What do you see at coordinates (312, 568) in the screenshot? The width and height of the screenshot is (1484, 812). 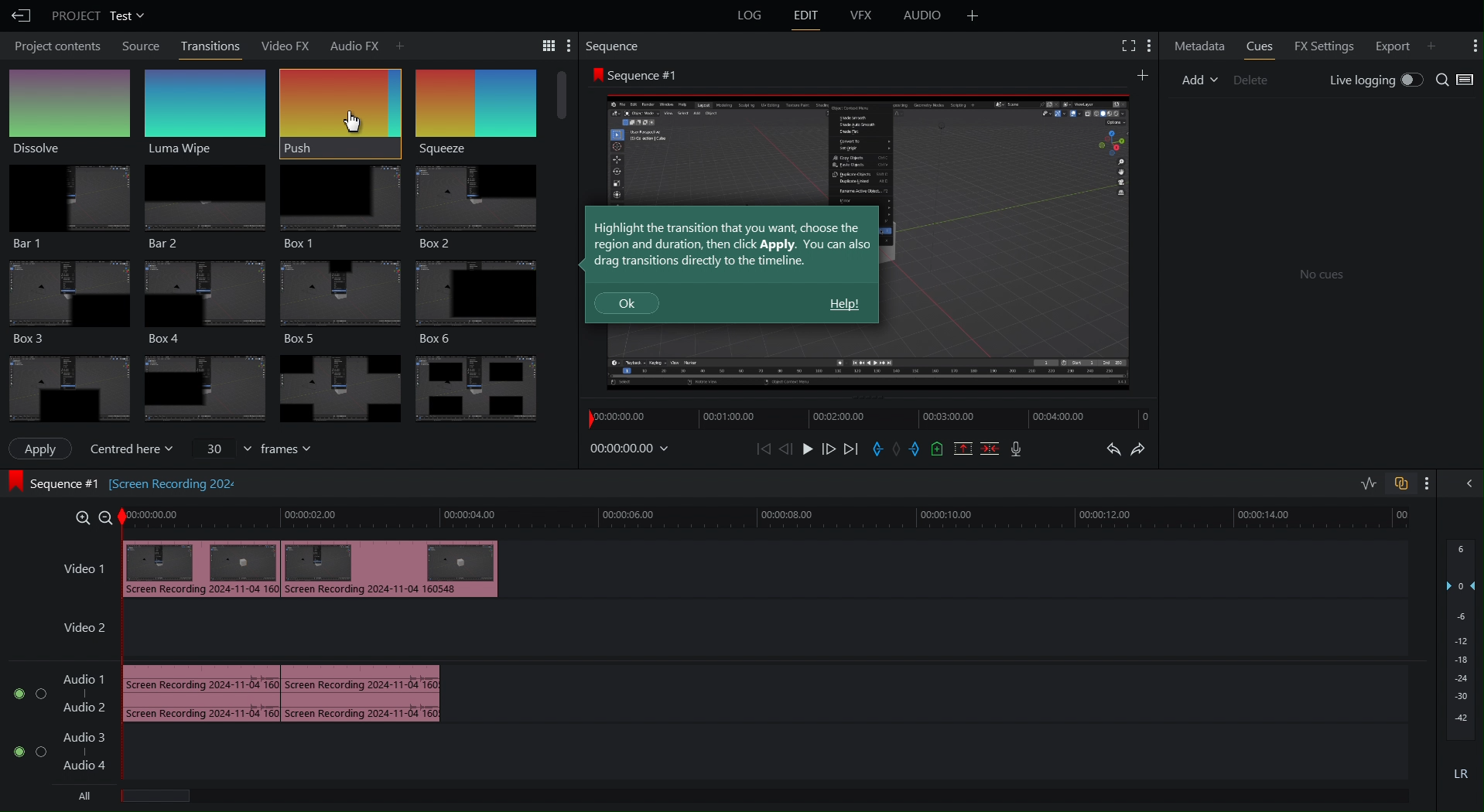 I see `Video clip` at bounding box center [312, 568].